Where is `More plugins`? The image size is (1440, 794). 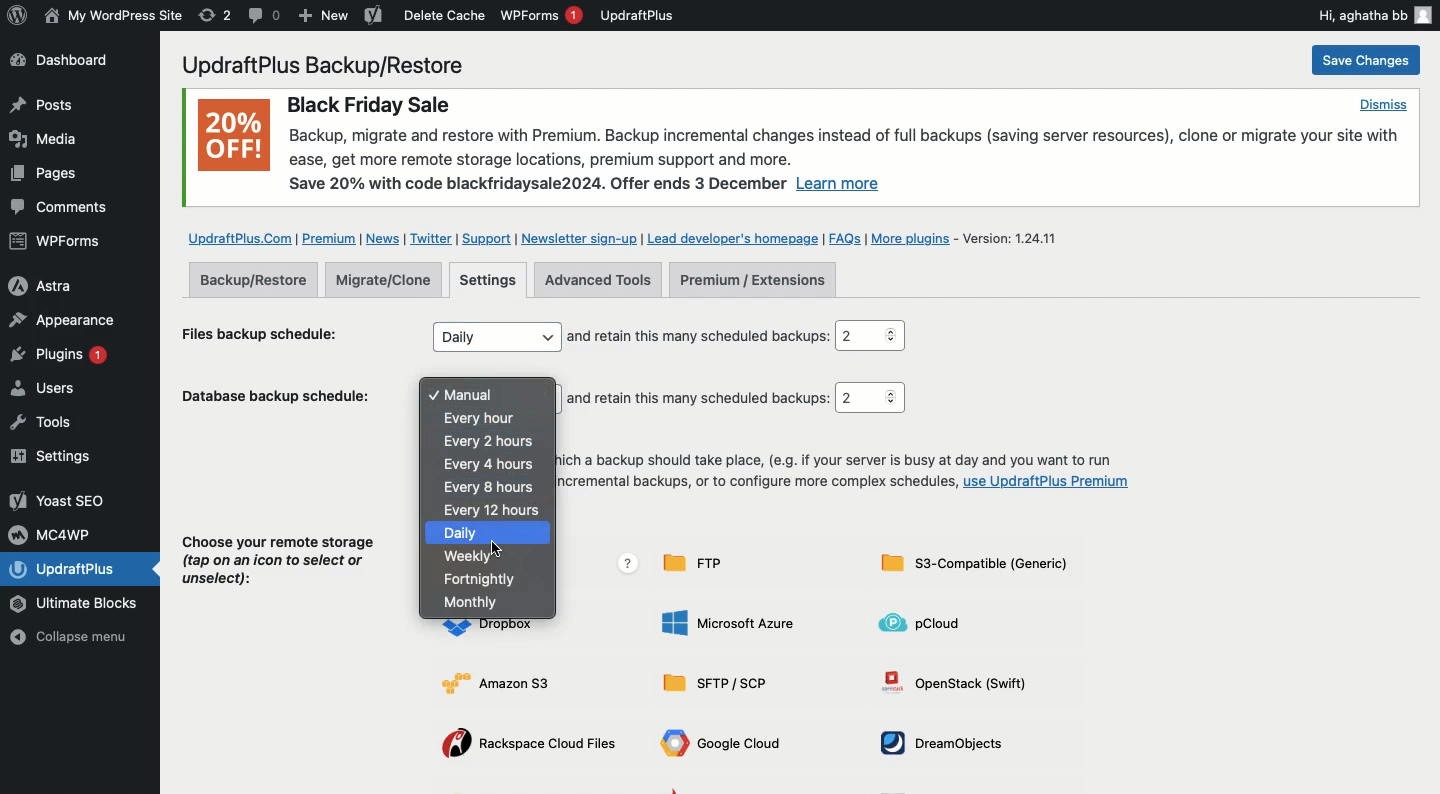
More plugins is located at coordinates (915, 239).